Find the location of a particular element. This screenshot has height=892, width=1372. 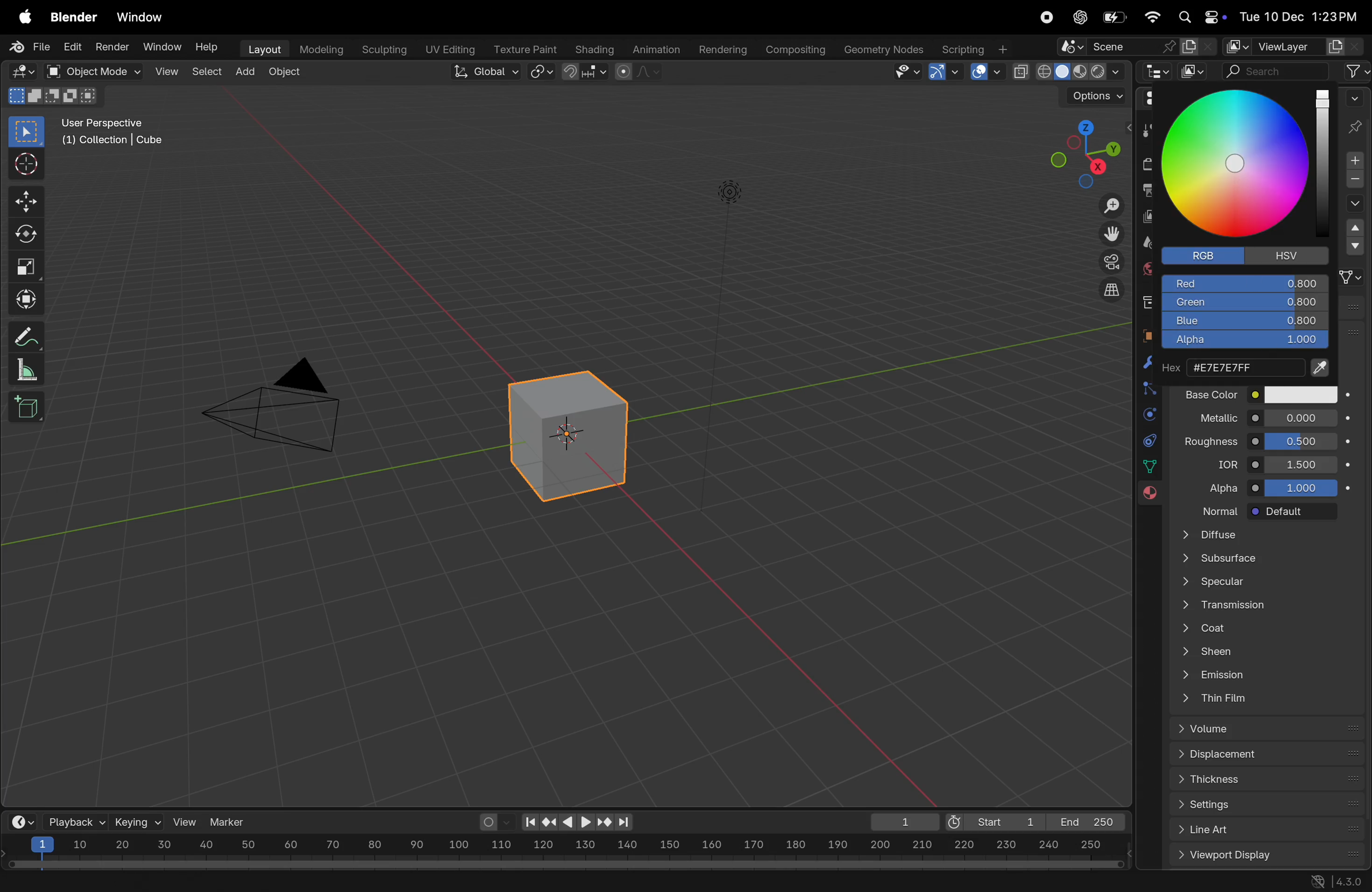

search is located at coordinates (1277, 69).